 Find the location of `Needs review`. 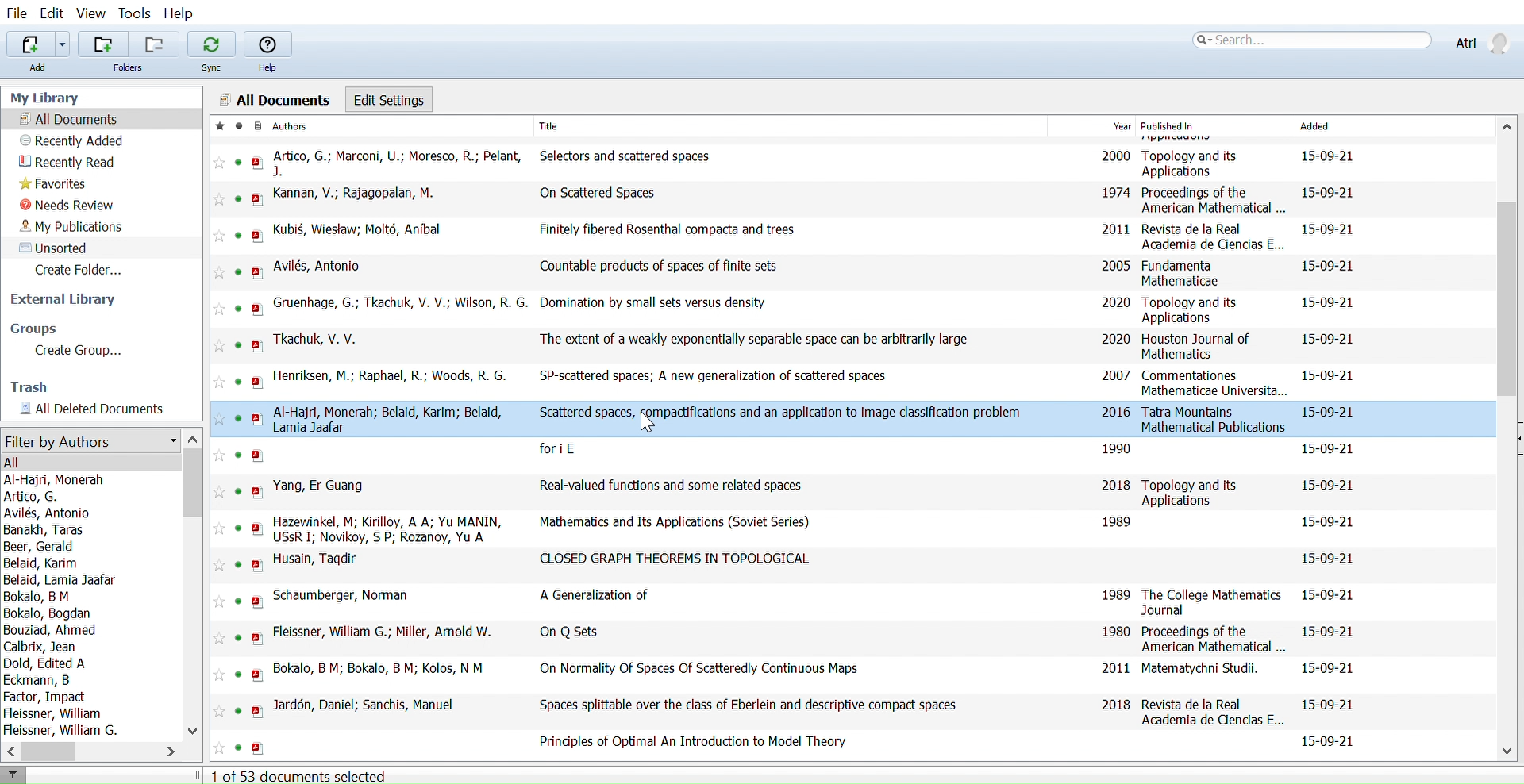

Needs review is located at coordinates (73, 204).